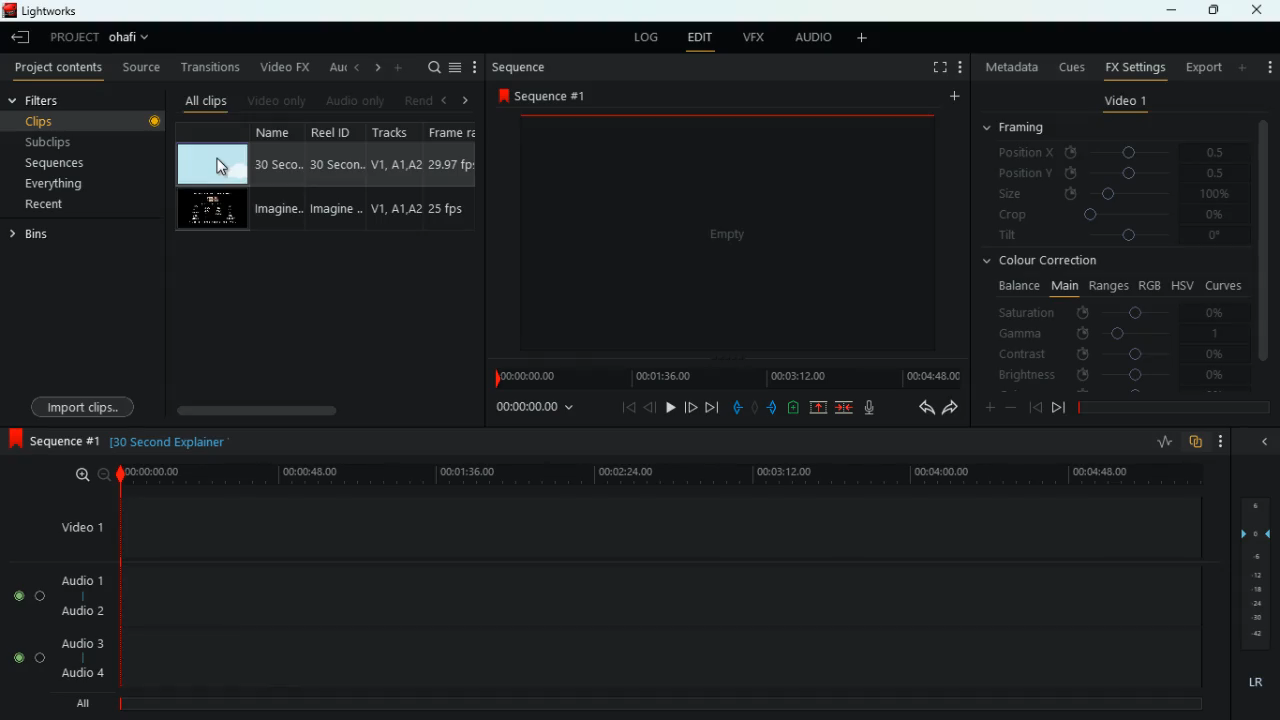 This screenshot has width=1280, height=720. I want to click on video only, so click(277, 102).